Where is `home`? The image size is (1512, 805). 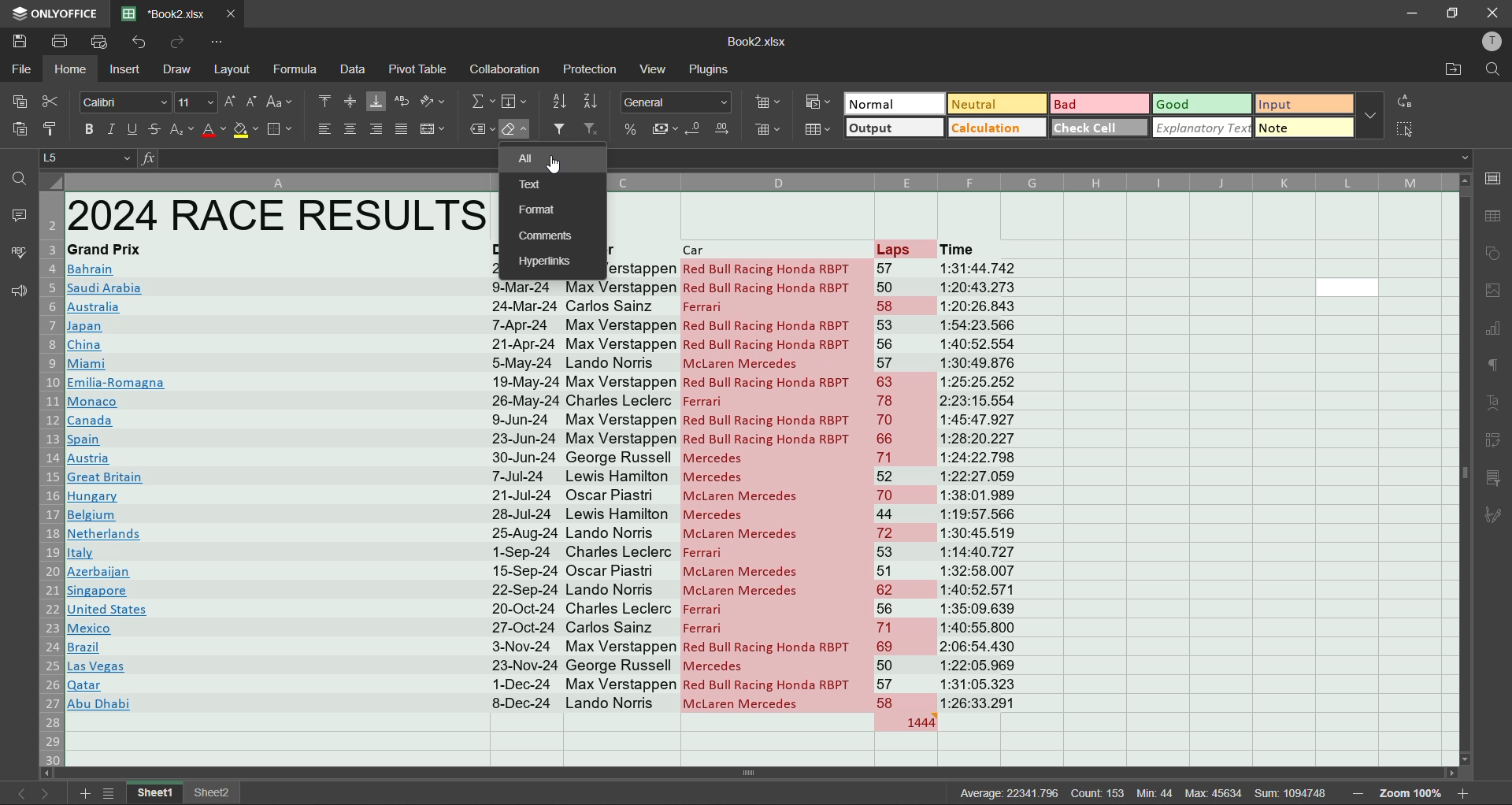
home is located at coordinates (74, 71).